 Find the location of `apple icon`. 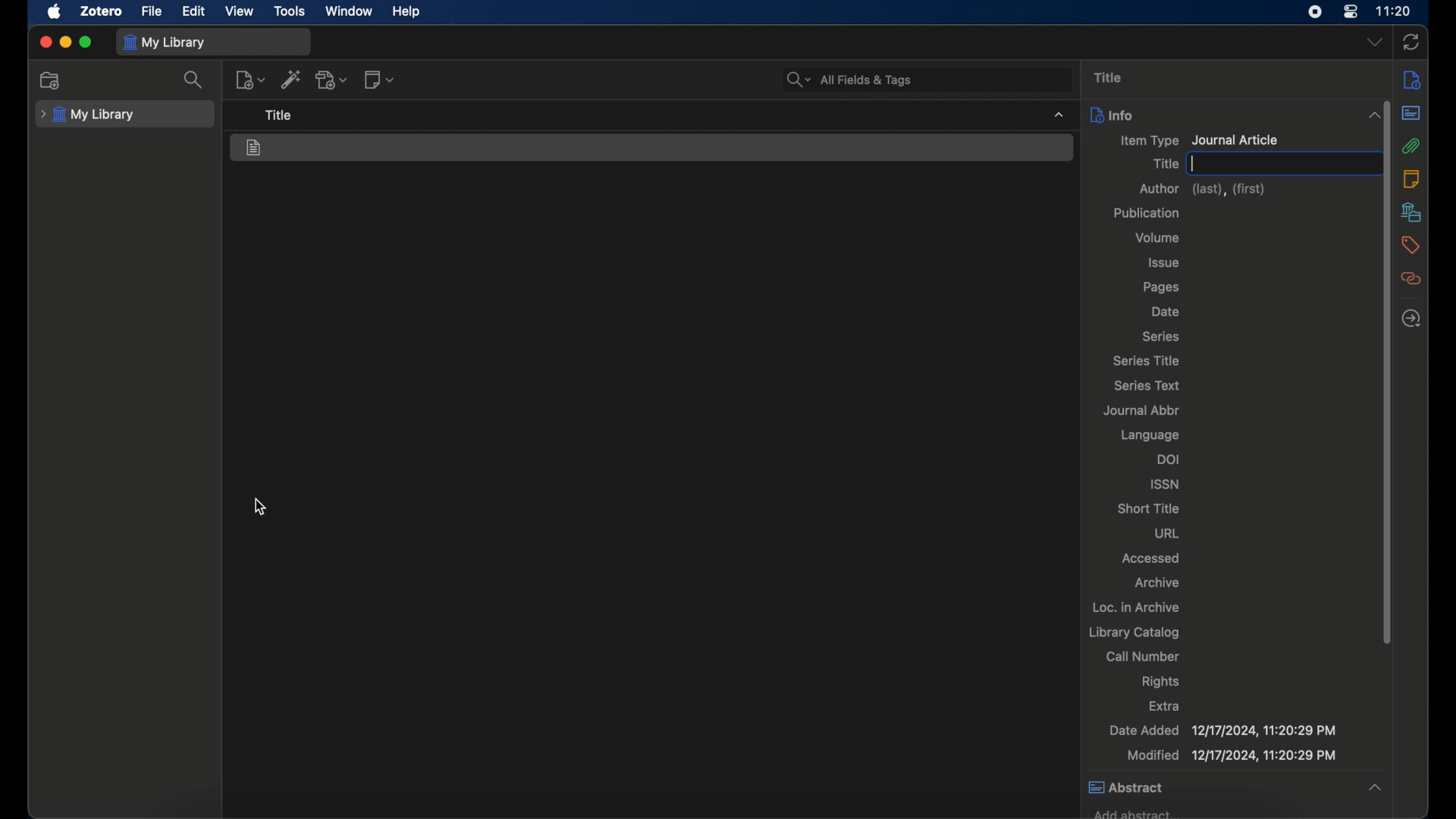

apple icon is located at coordinates (55, 12).